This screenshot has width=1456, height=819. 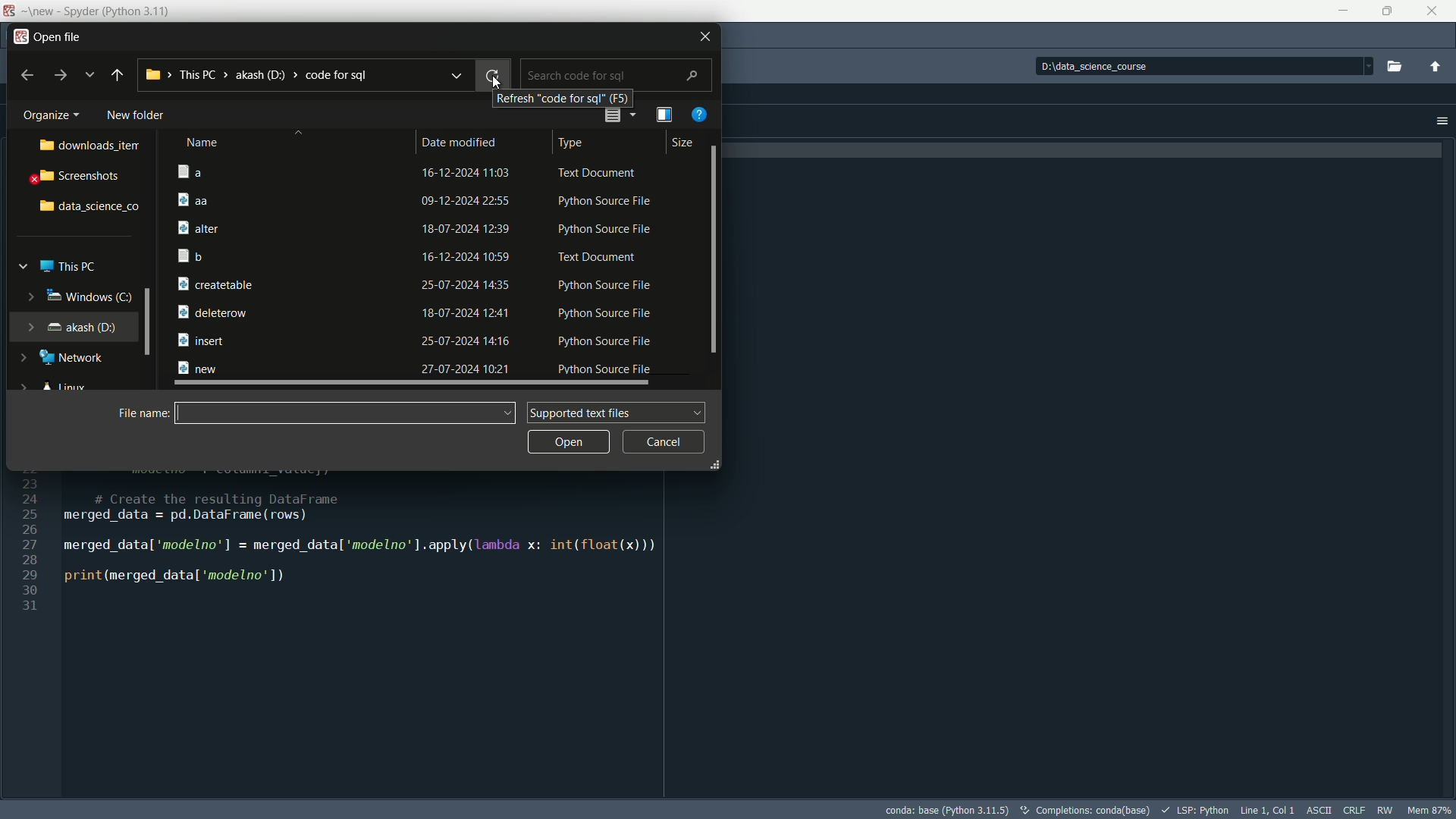 I want to click on directory, so click(x=1200, y=65).